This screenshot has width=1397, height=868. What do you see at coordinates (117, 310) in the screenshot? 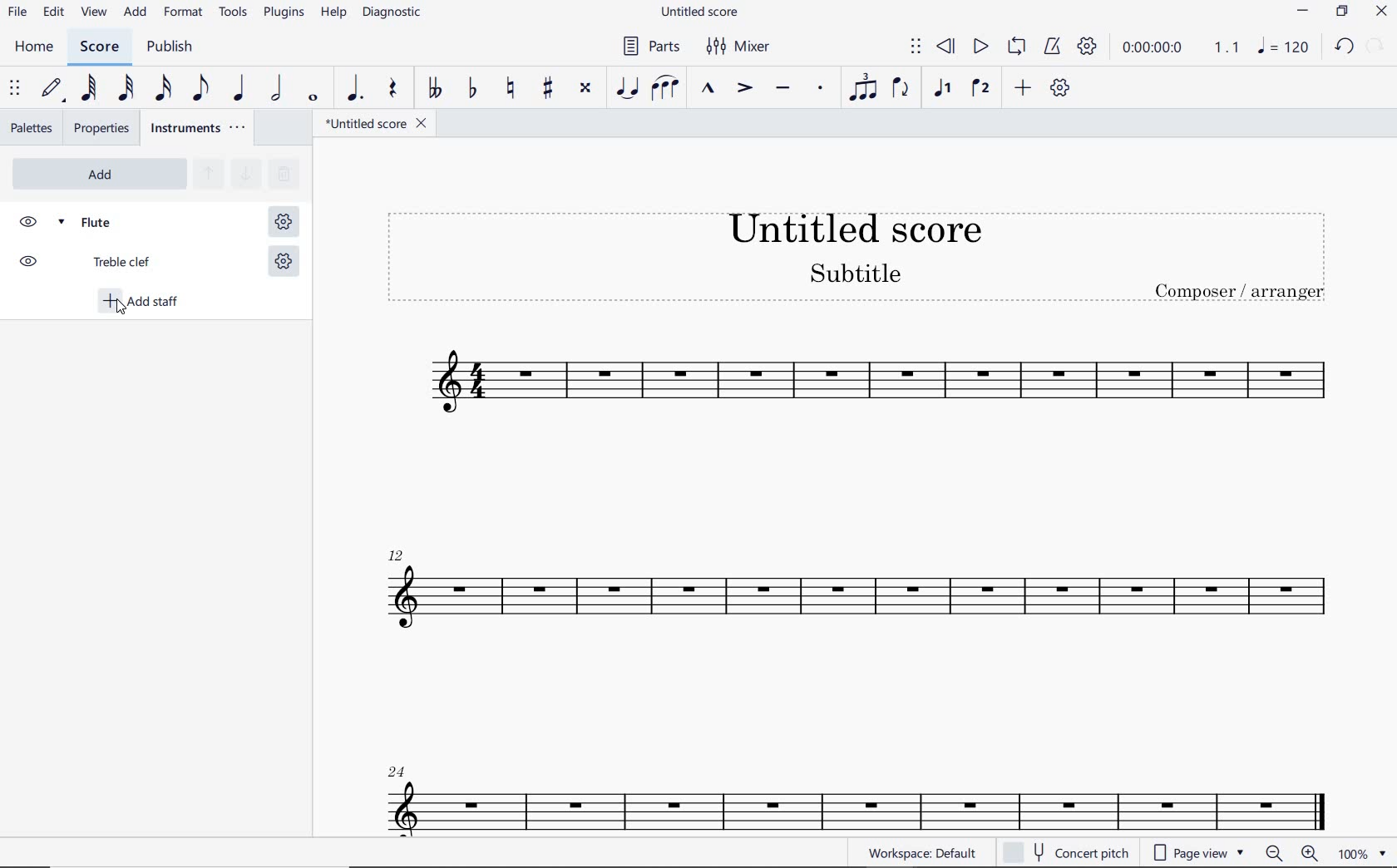
I see `cursor` at bounding box center [117, 310].